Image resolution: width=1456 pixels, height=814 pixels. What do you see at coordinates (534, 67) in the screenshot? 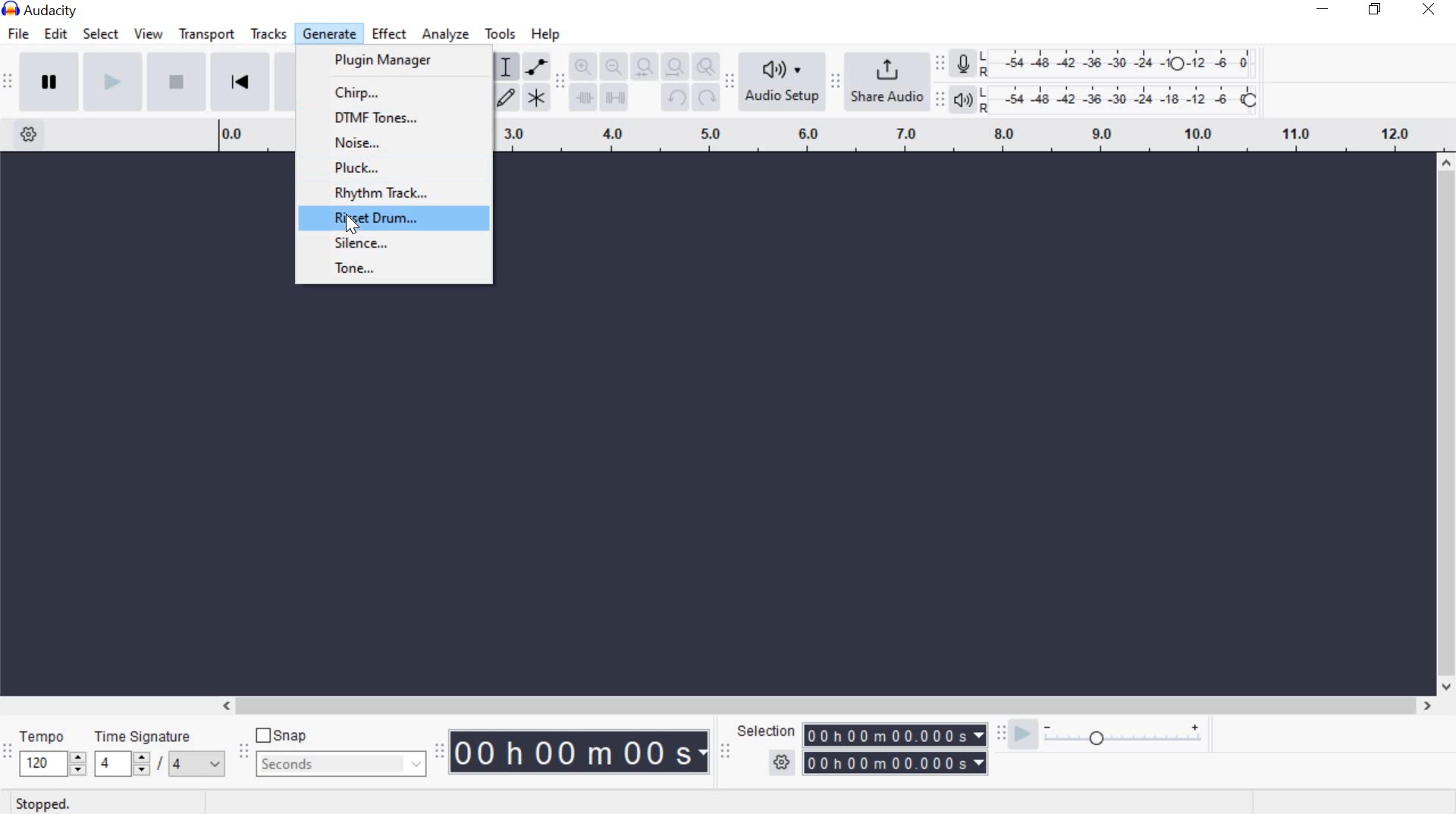
I see `Envelope tool` at bounding box center [534, 67].